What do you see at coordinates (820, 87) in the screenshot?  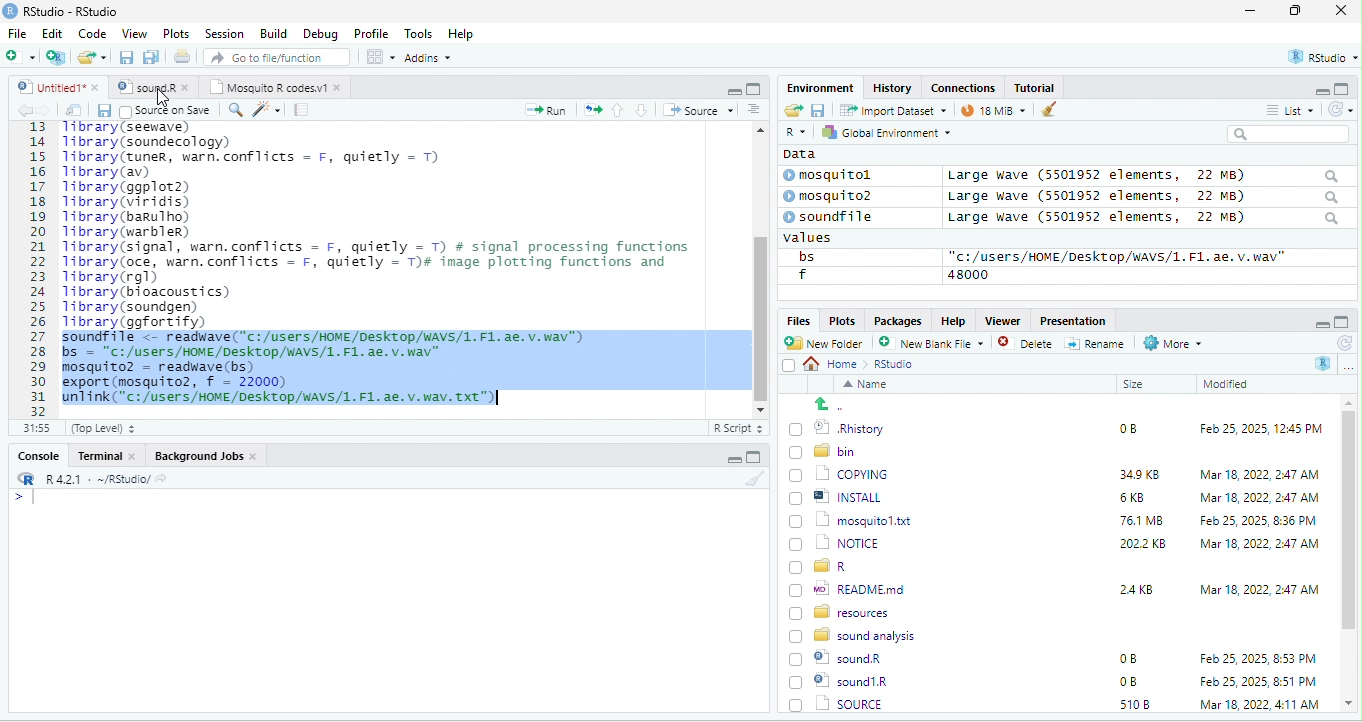 I see `Environment` at bounding box center [820, 87].